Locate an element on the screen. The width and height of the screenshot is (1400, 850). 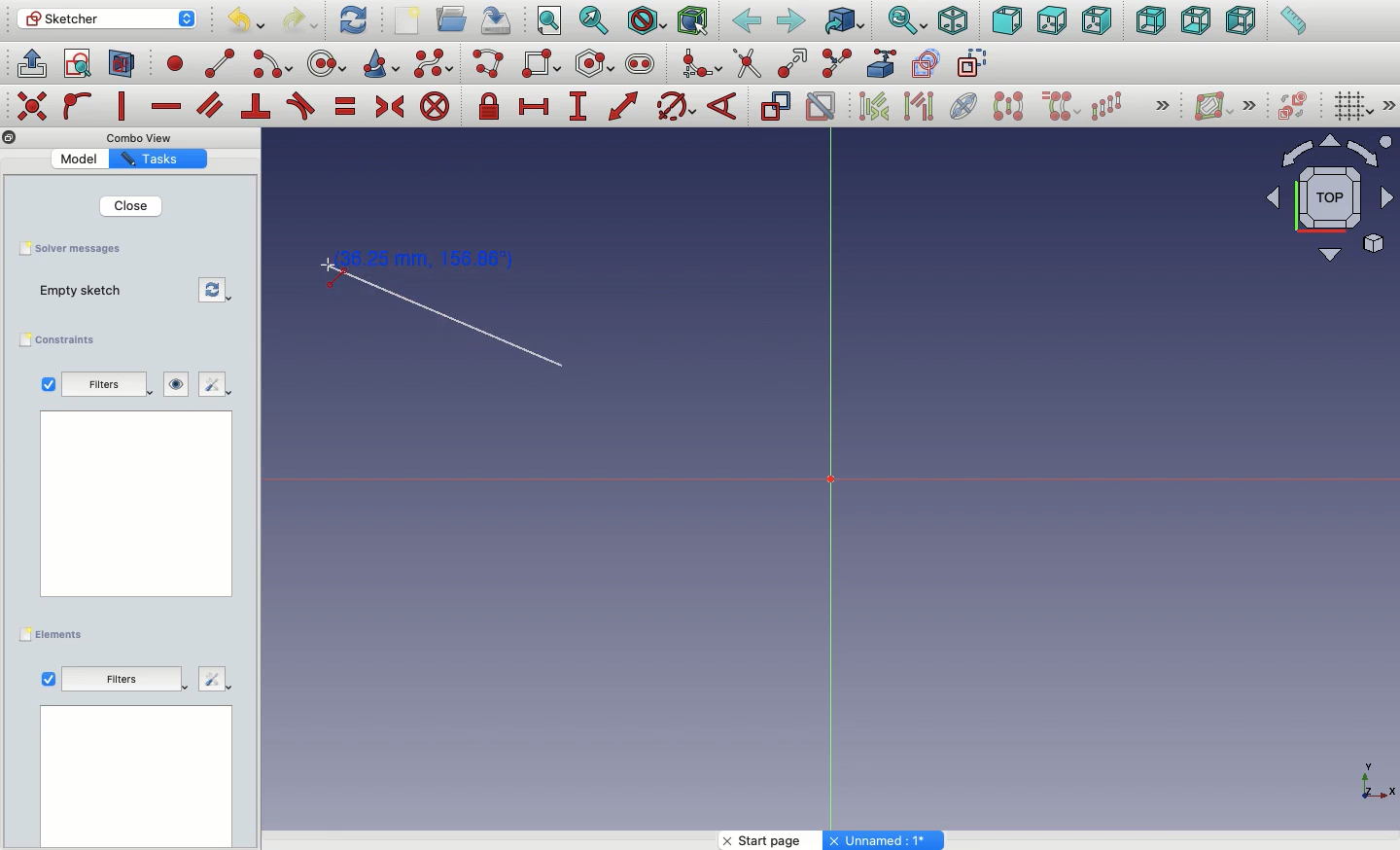
Split edge is located at coordinates (838, 62).